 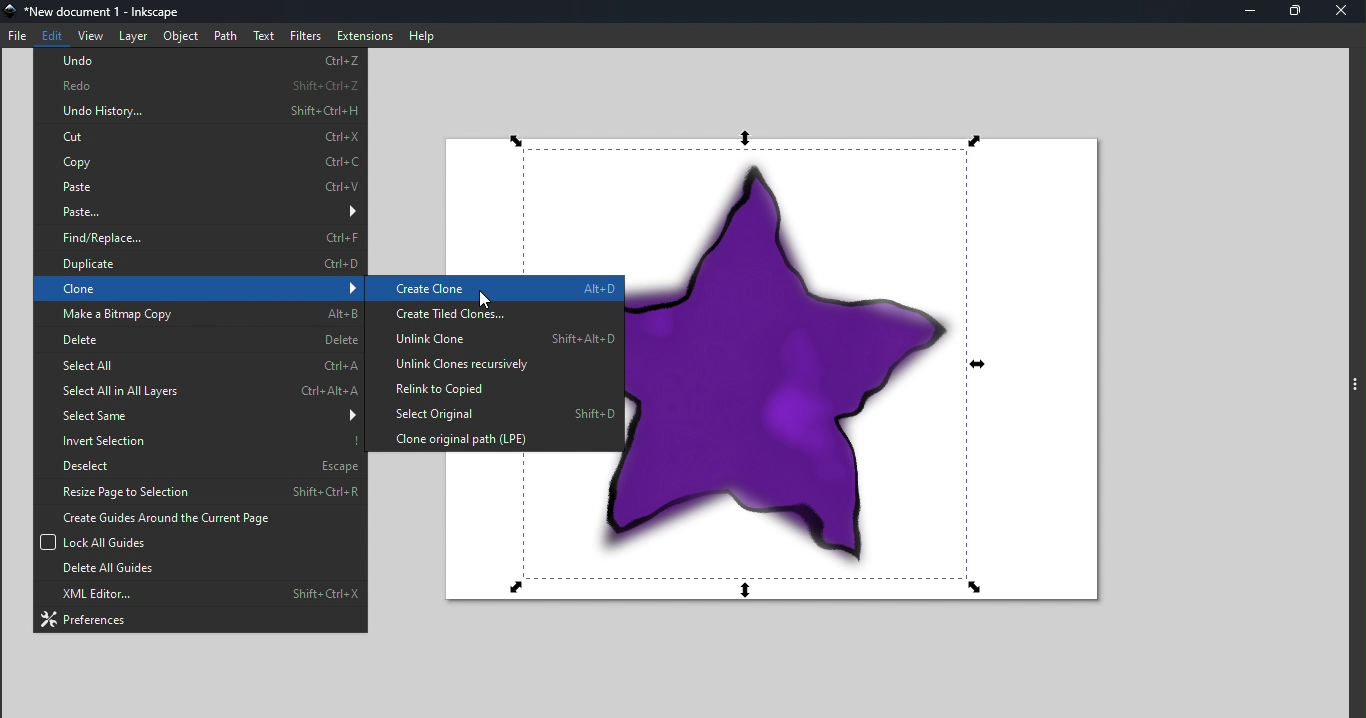 What do you see at coordinates (203, 595) in the screenshot?
I see `XML editor` at bounding box center [203, 595].